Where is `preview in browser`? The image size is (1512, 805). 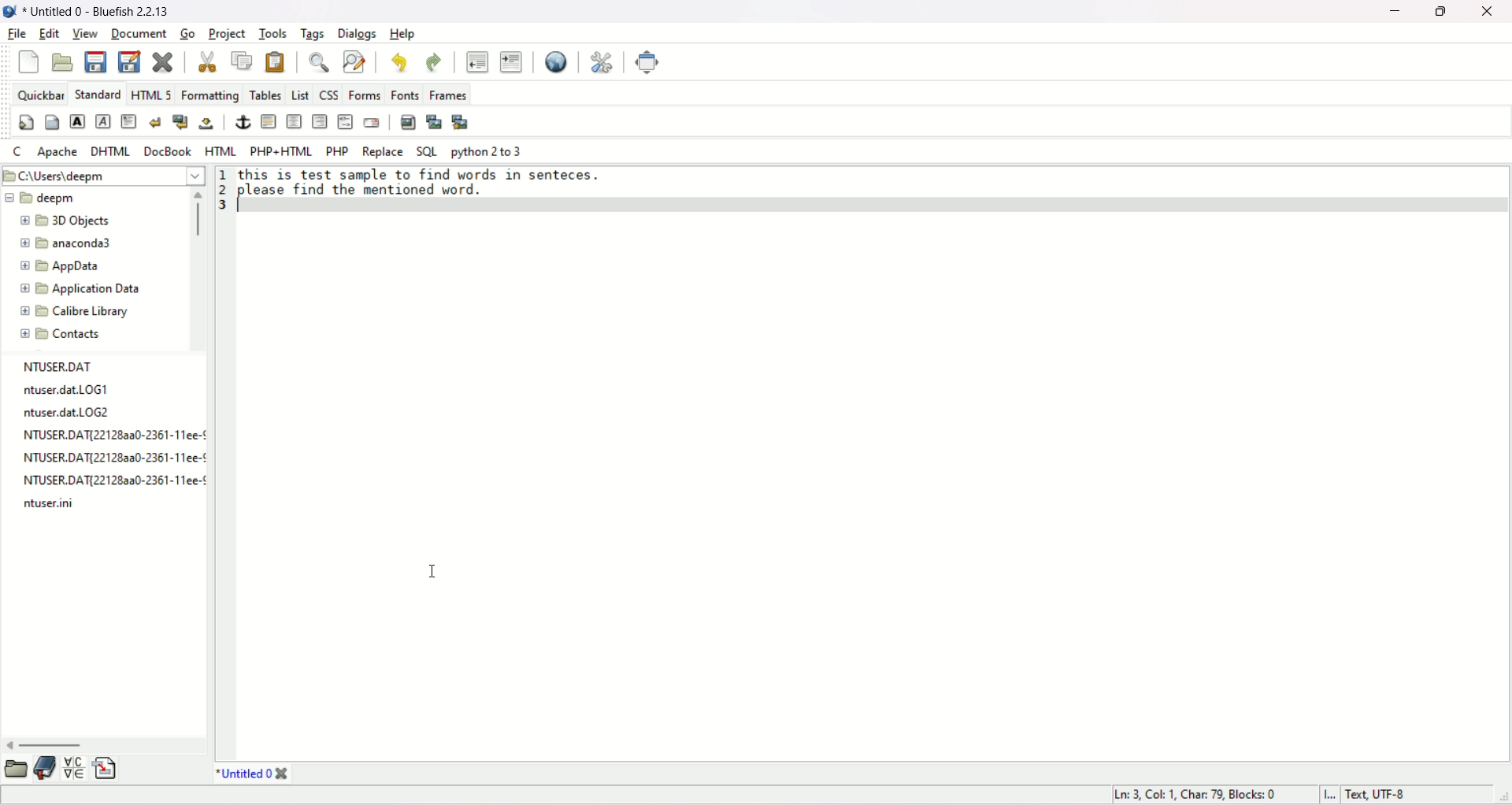 preview in browser is located at coordinates (554, 61).